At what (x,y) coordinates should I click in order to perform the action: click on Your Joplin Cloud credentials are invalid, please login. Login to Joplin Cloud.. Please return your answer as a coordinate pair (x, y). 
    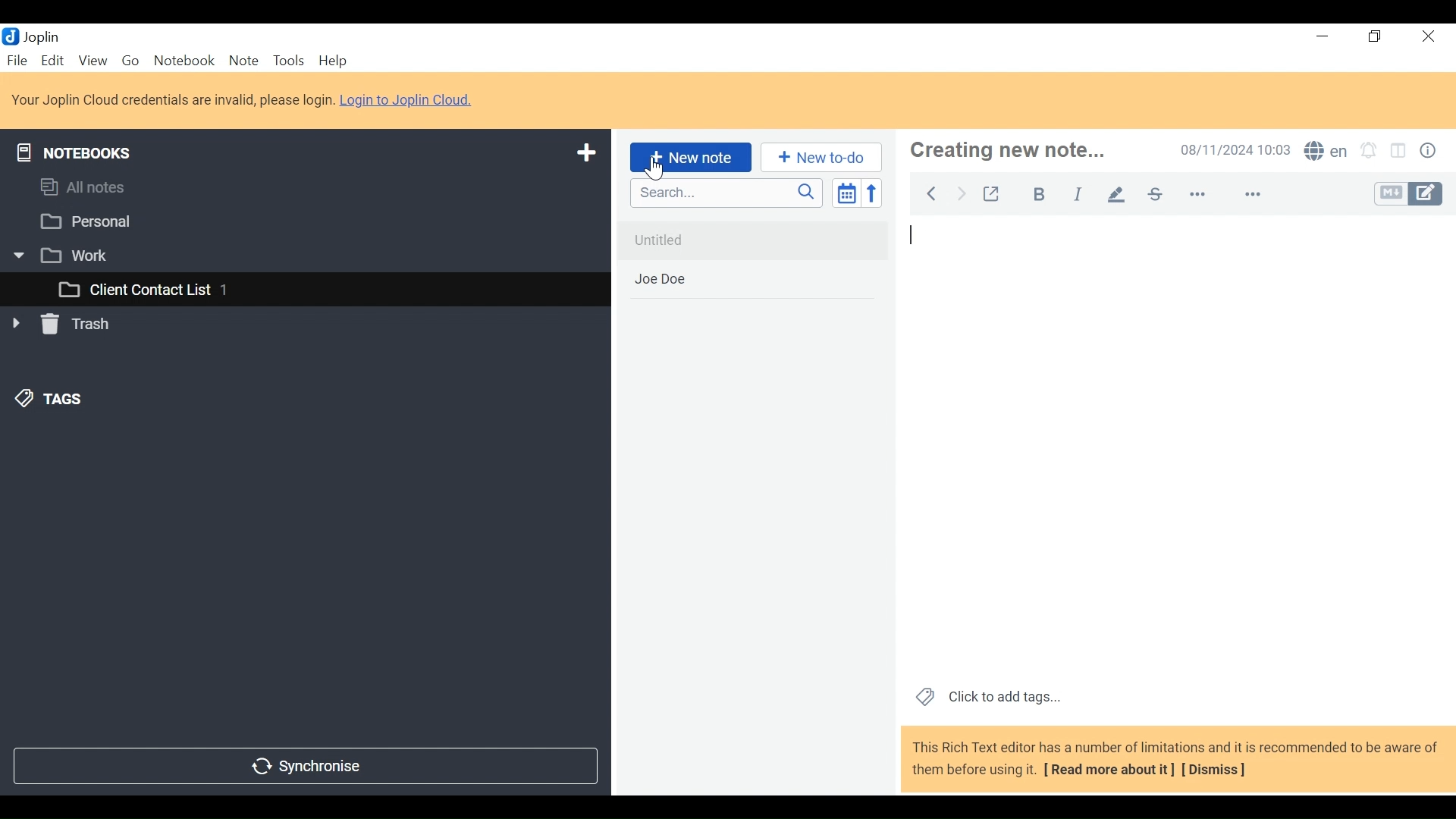
    Looking at the image, I should click on (245, 99).